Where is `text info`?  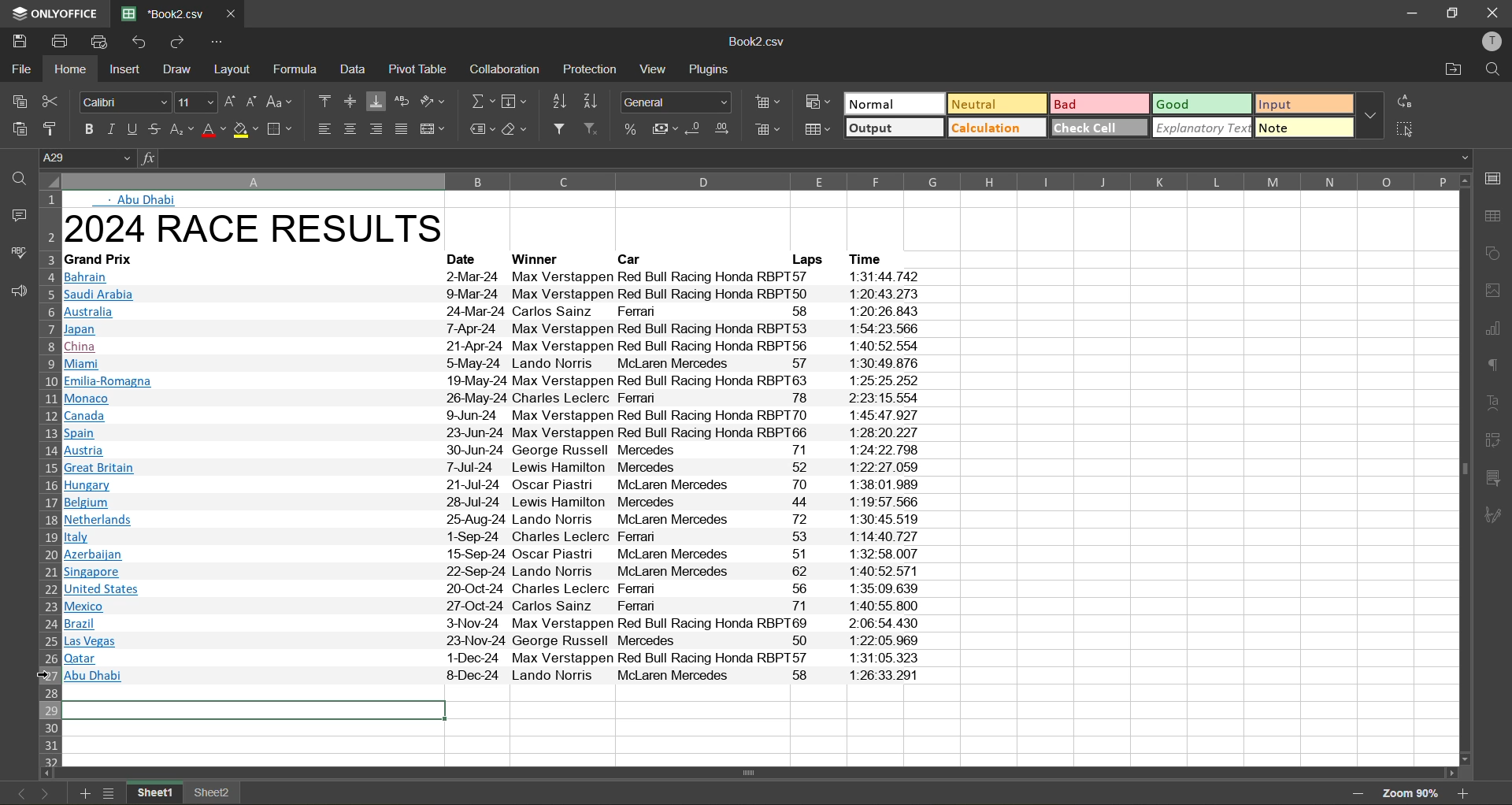
text info is located at coordinates (504, 399).